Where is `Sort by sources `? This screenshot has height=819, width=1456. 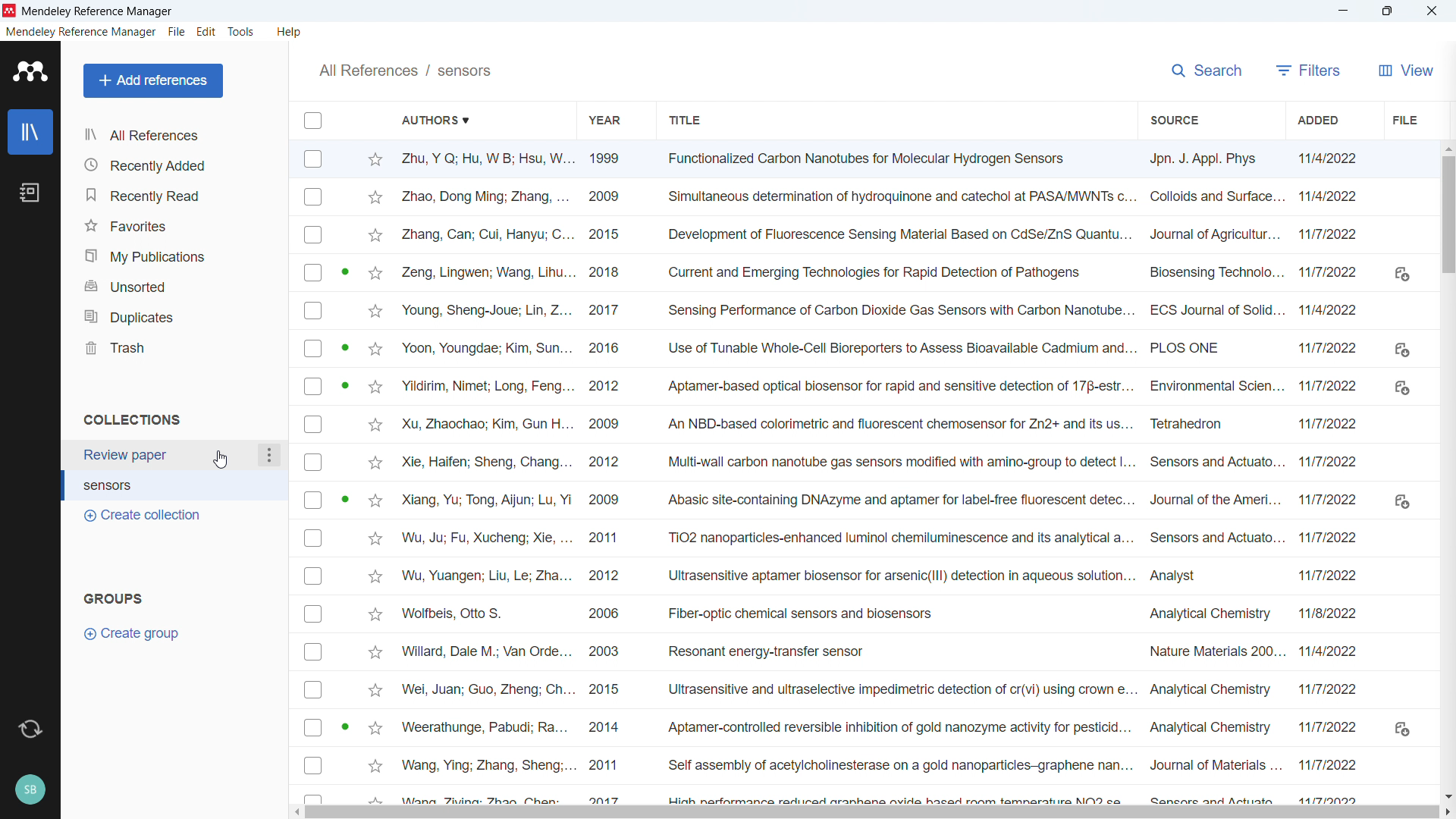 Sort by sources  is located at coordinates (1172, 119).